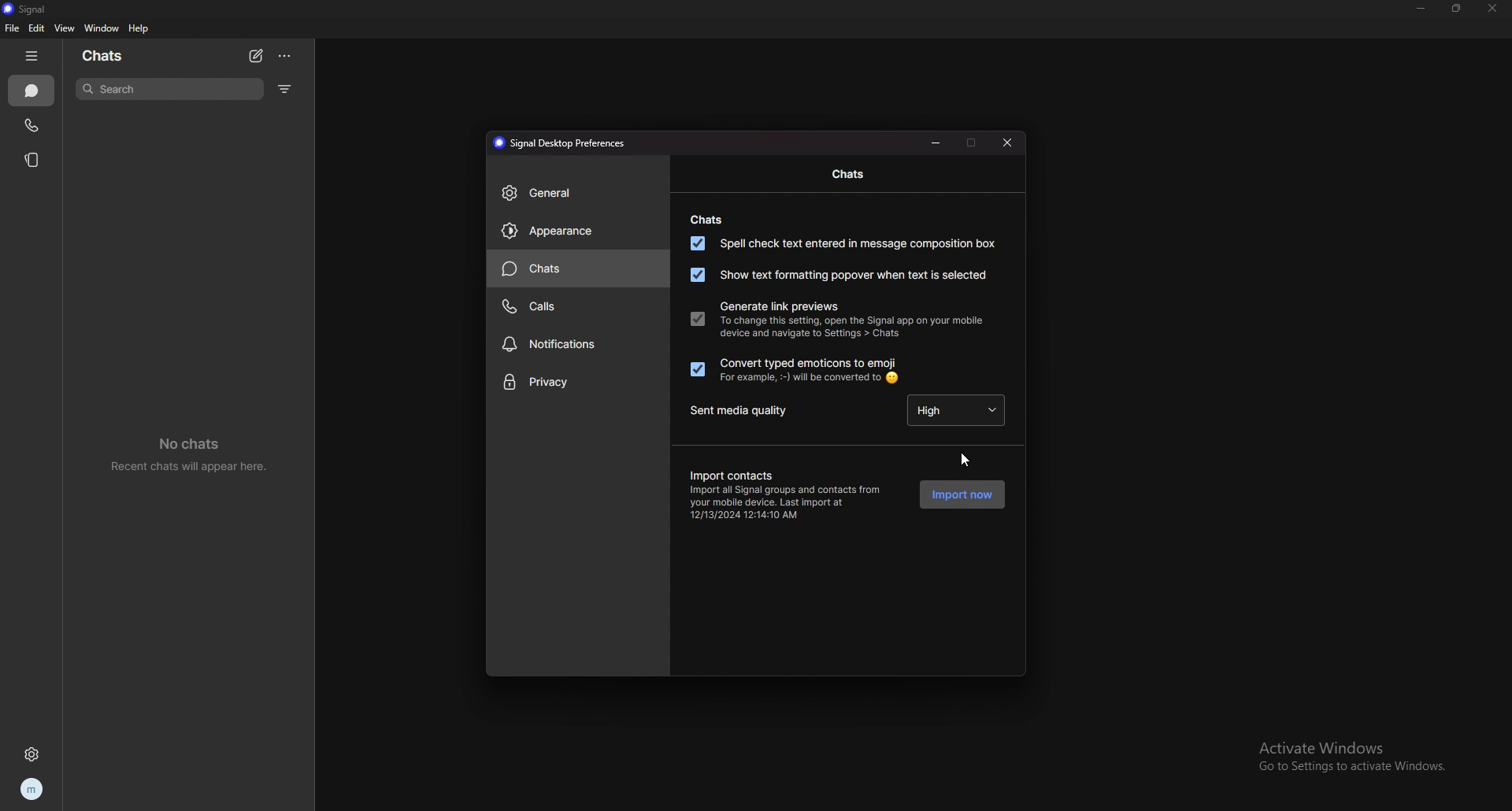 The height and width of the screenshot is (811, 1512). Describe the element at coordinates (104, 55) in the screenshot. I see `chats` at that location.